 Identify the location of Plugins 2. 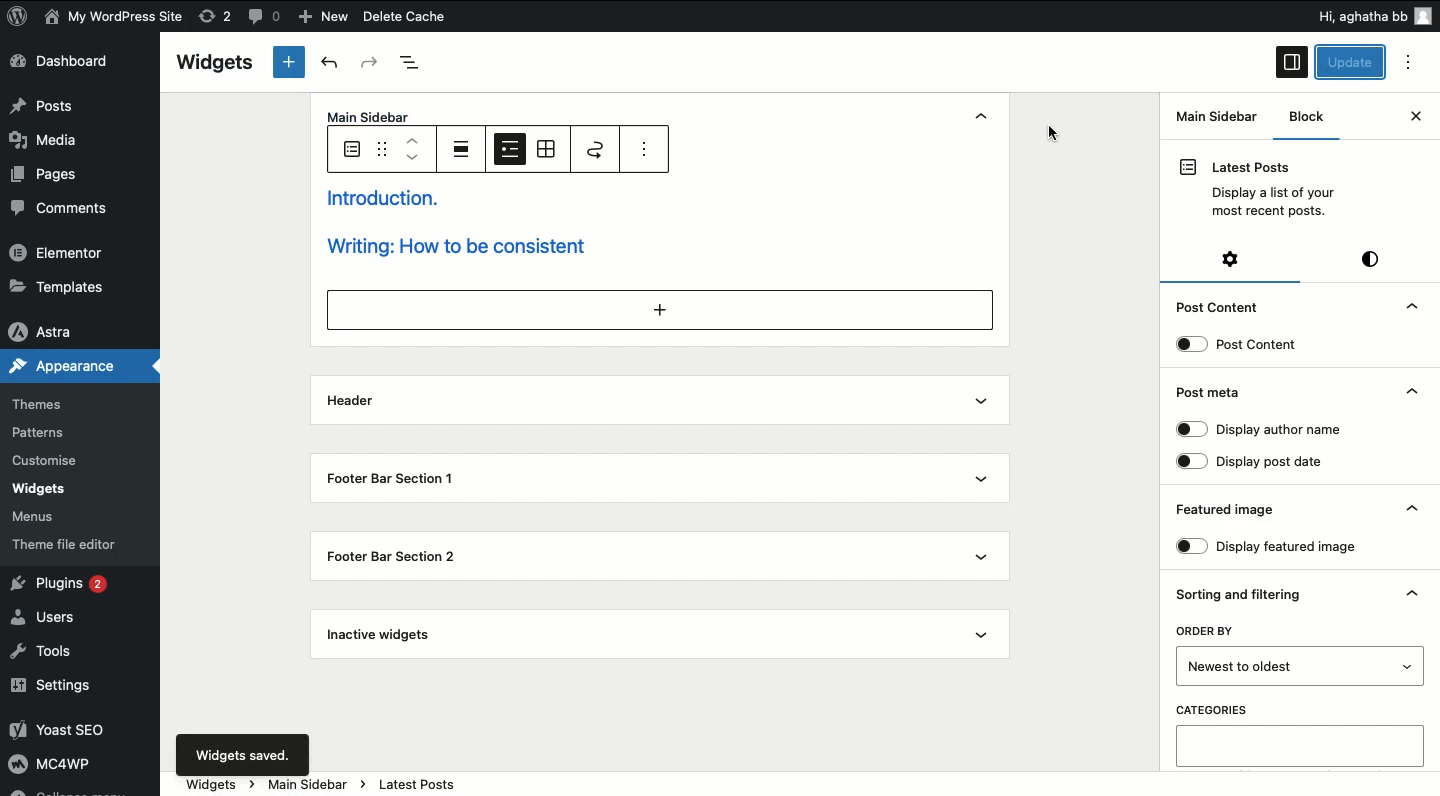
(60, 581).